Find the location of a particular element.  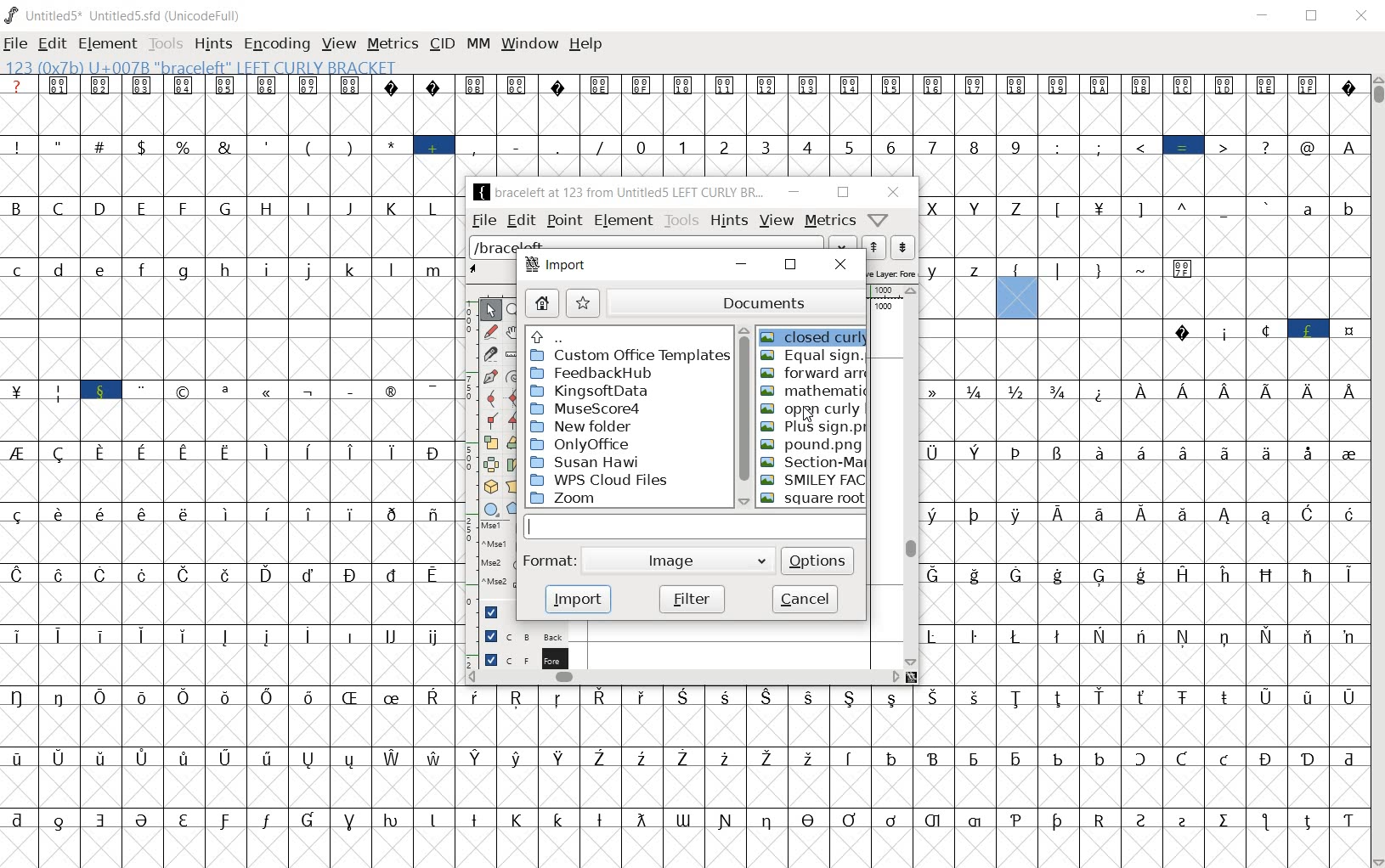

plus sign.png is located at coordinates (814, 426).